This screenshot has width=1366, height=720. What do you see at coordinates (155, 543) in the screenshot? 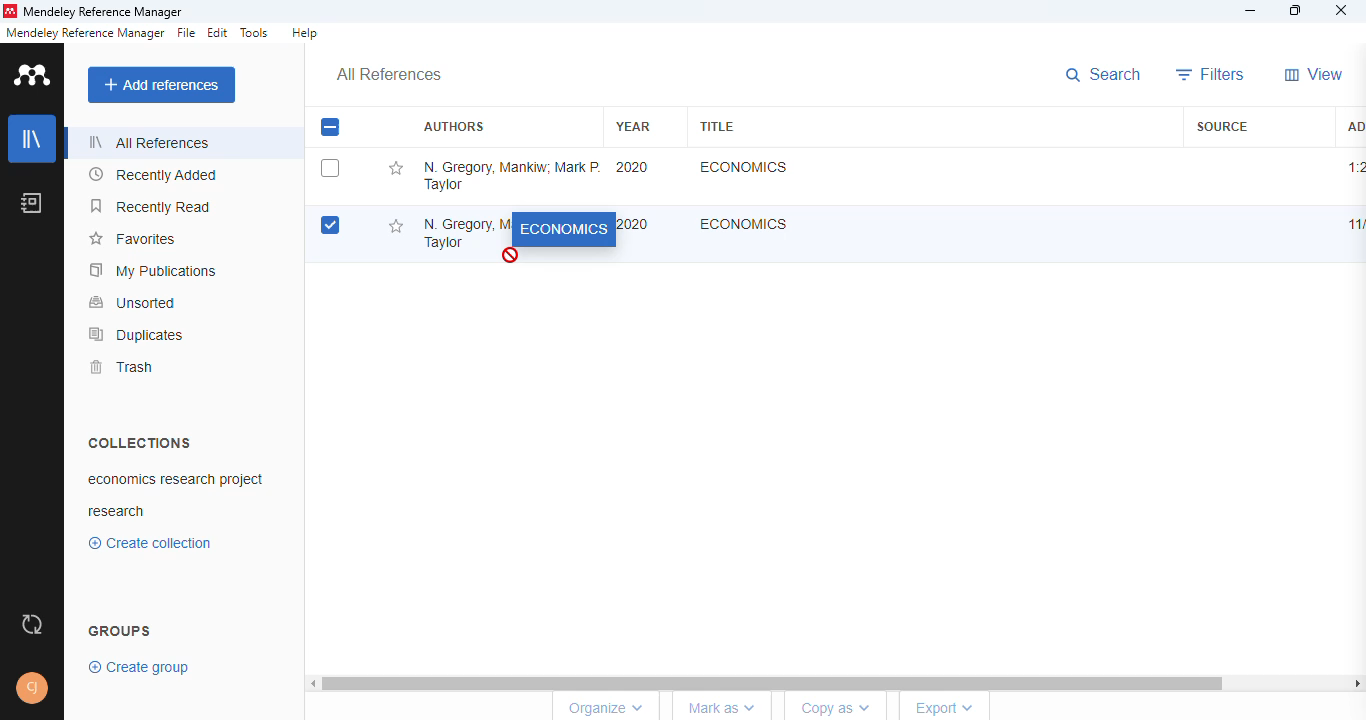
I see `create collection` at bounding box center [155, 543].